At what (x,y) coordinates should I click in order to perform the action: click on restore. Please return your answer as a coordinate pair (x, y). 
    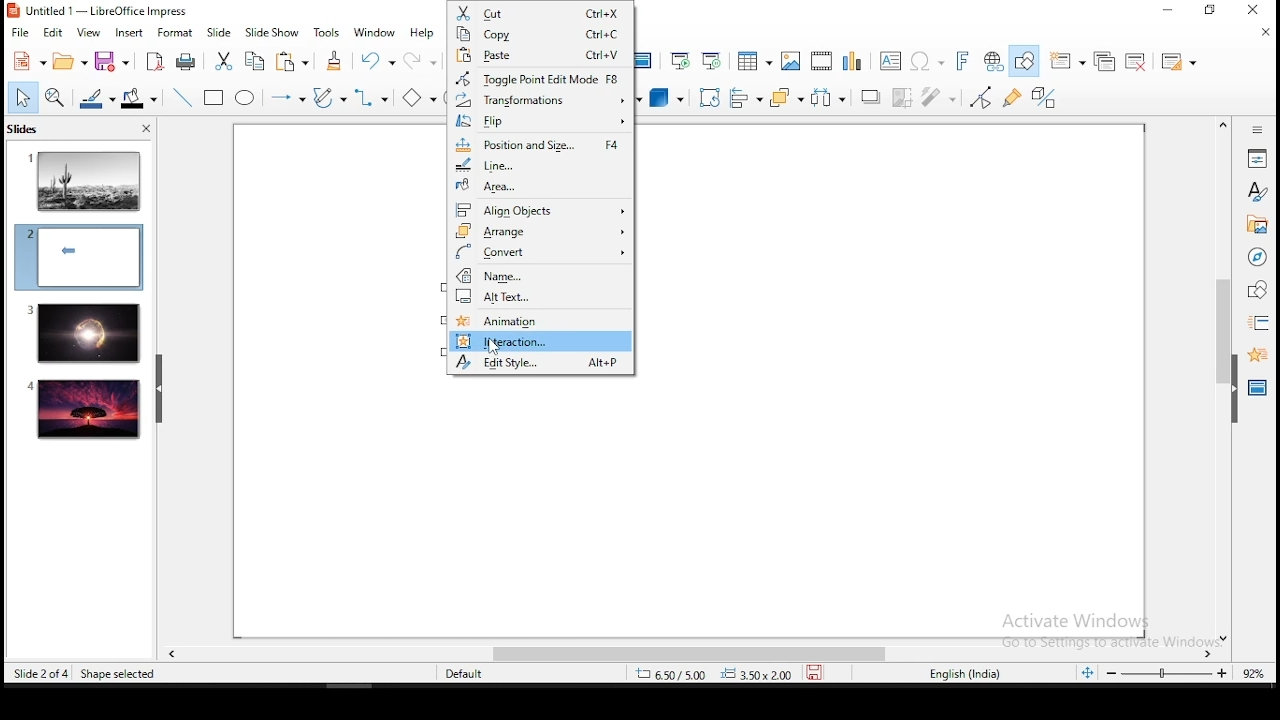
    Looking at the image, I should click on (1211, 11).